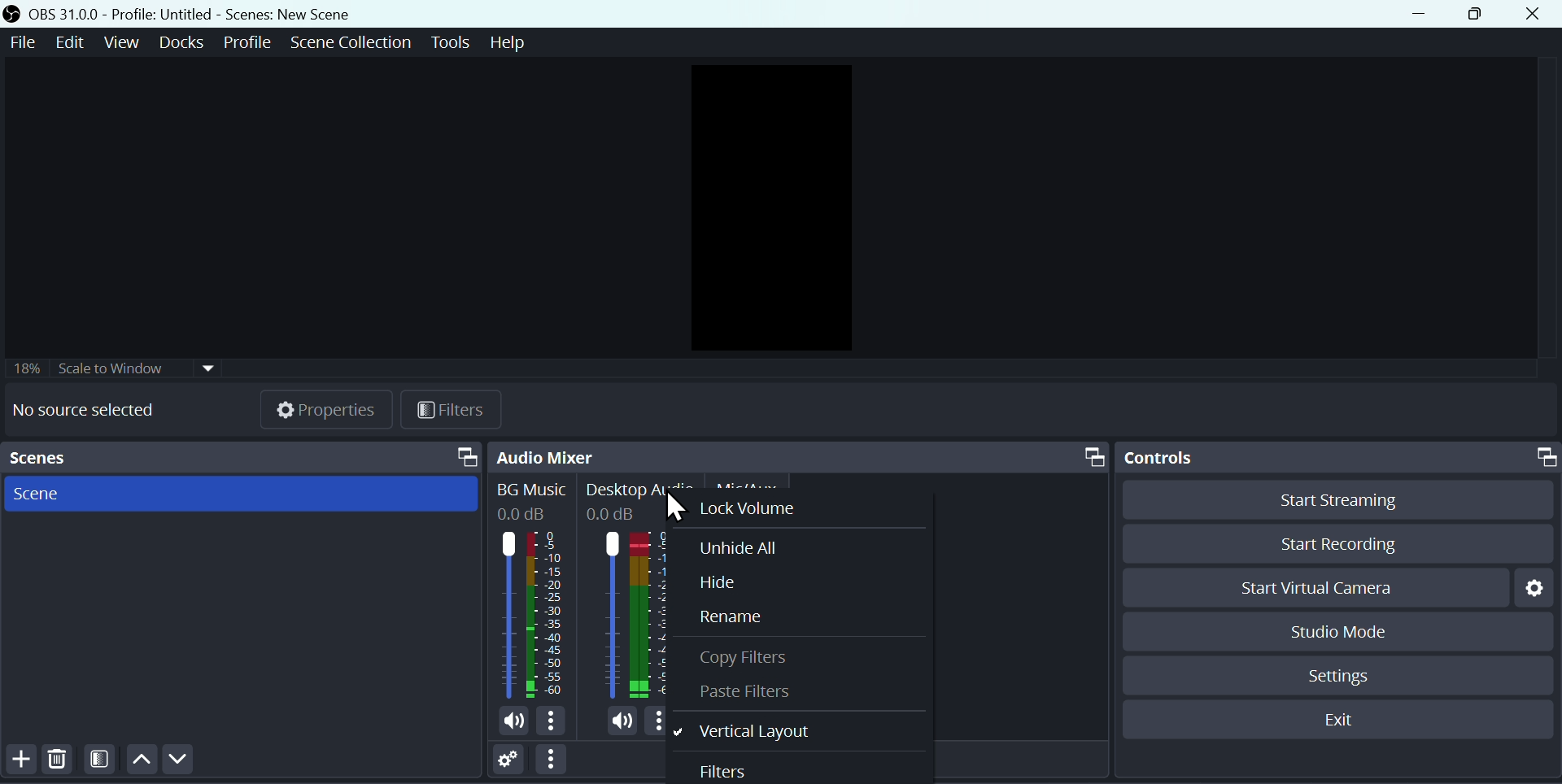 The width and height of the screenshot is (1562, 784). I want to click on Down, so click(184, 760).